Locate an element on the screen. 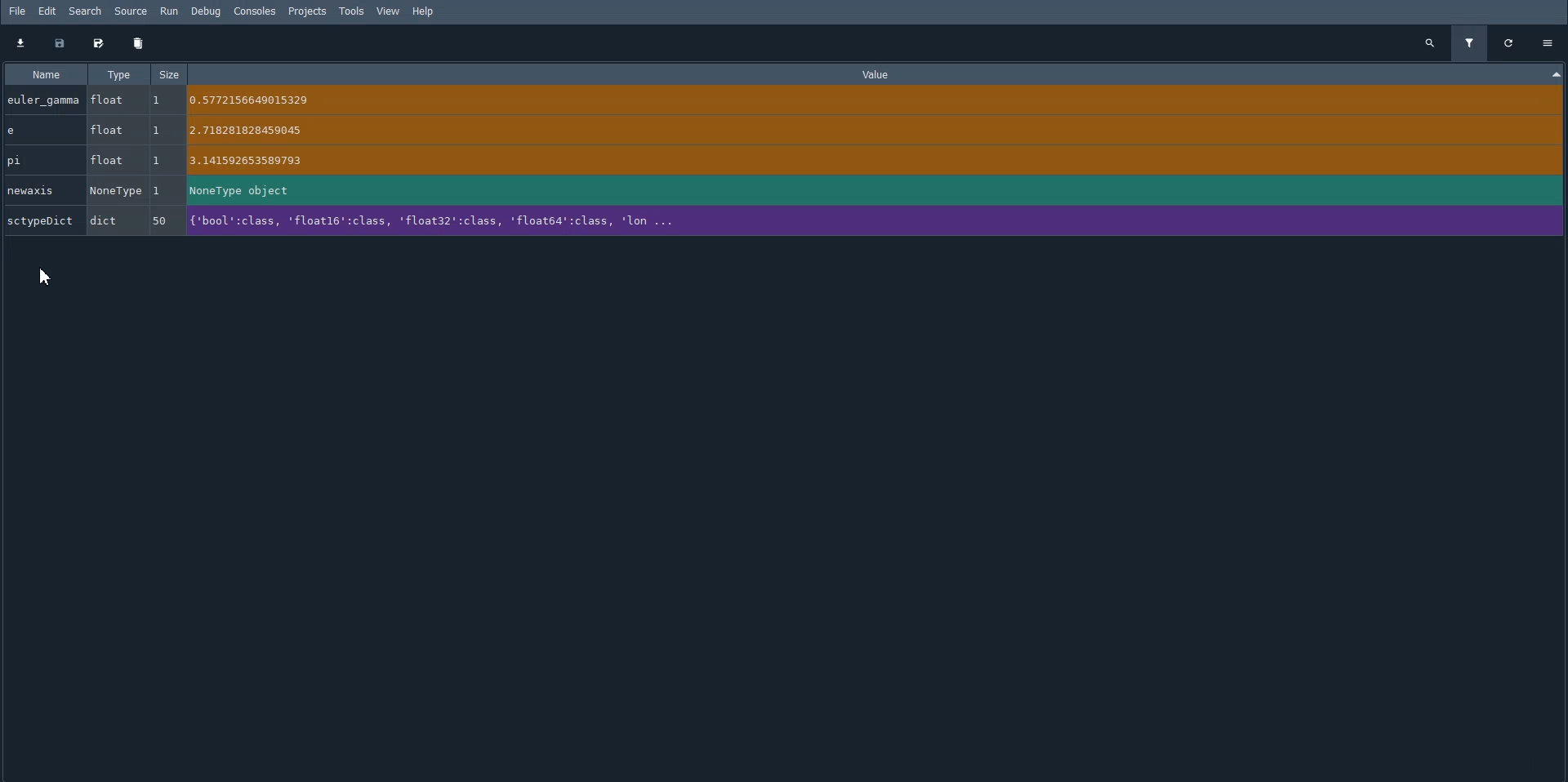  SectypeDict is located at coordinates (359, 224).